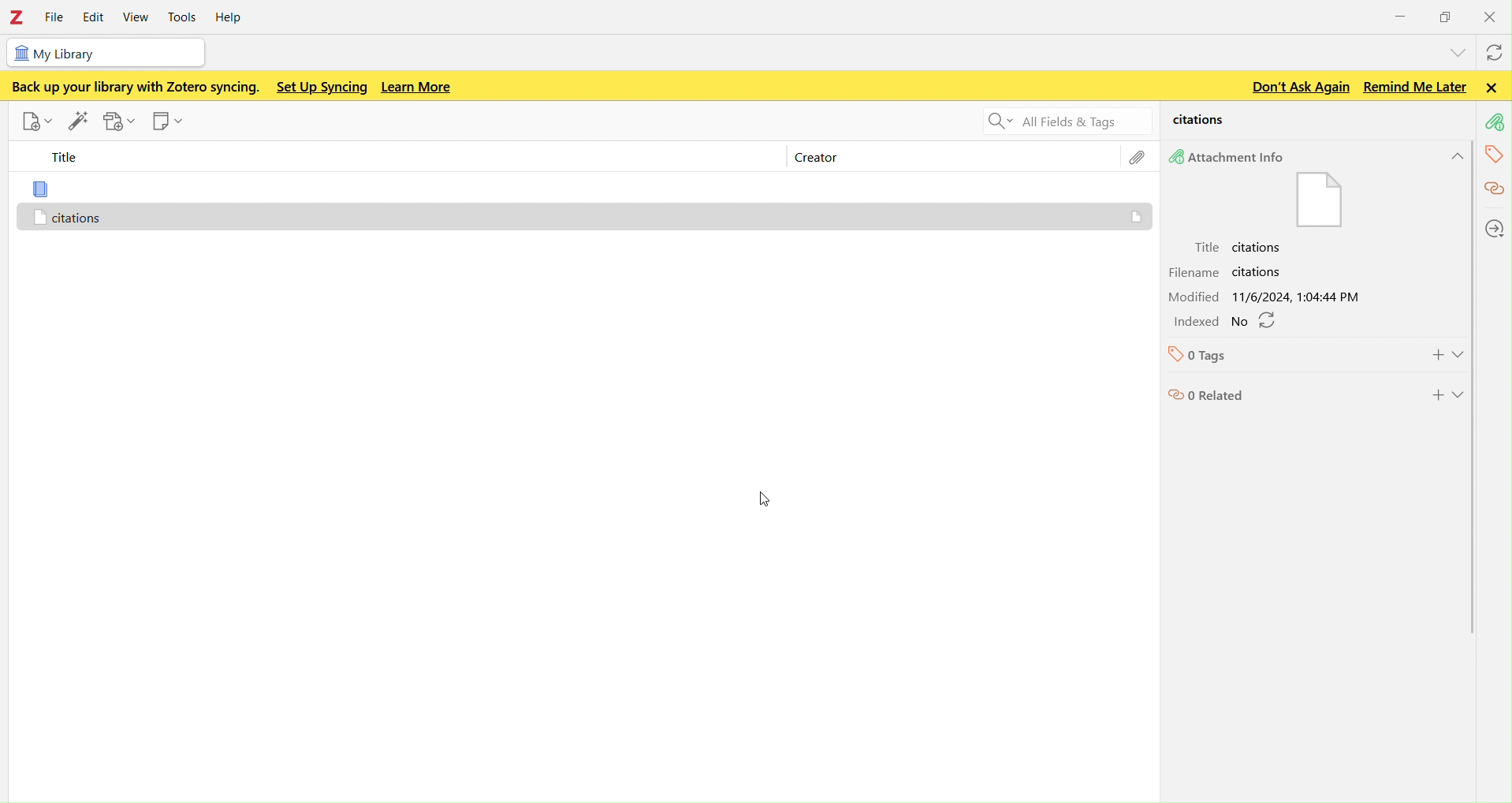 Image resolution: width=1512 pixels, height=803 pixels. What do you see at coordinates (833, 159) in the screenshot?
I see `creator` at bounding box center [833, 159].